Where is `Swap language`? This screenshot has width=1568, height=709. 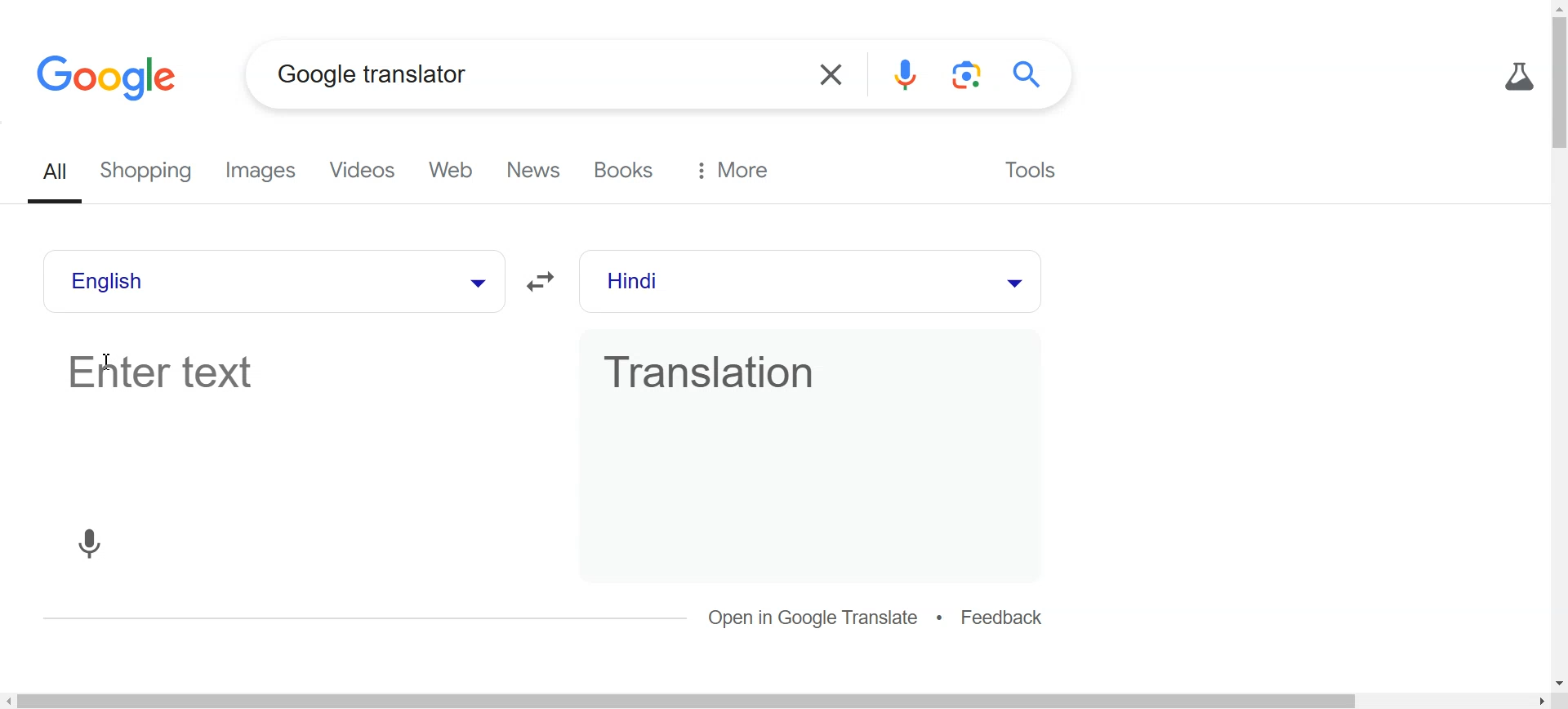
Swap language is located at coordinates (545, 282).